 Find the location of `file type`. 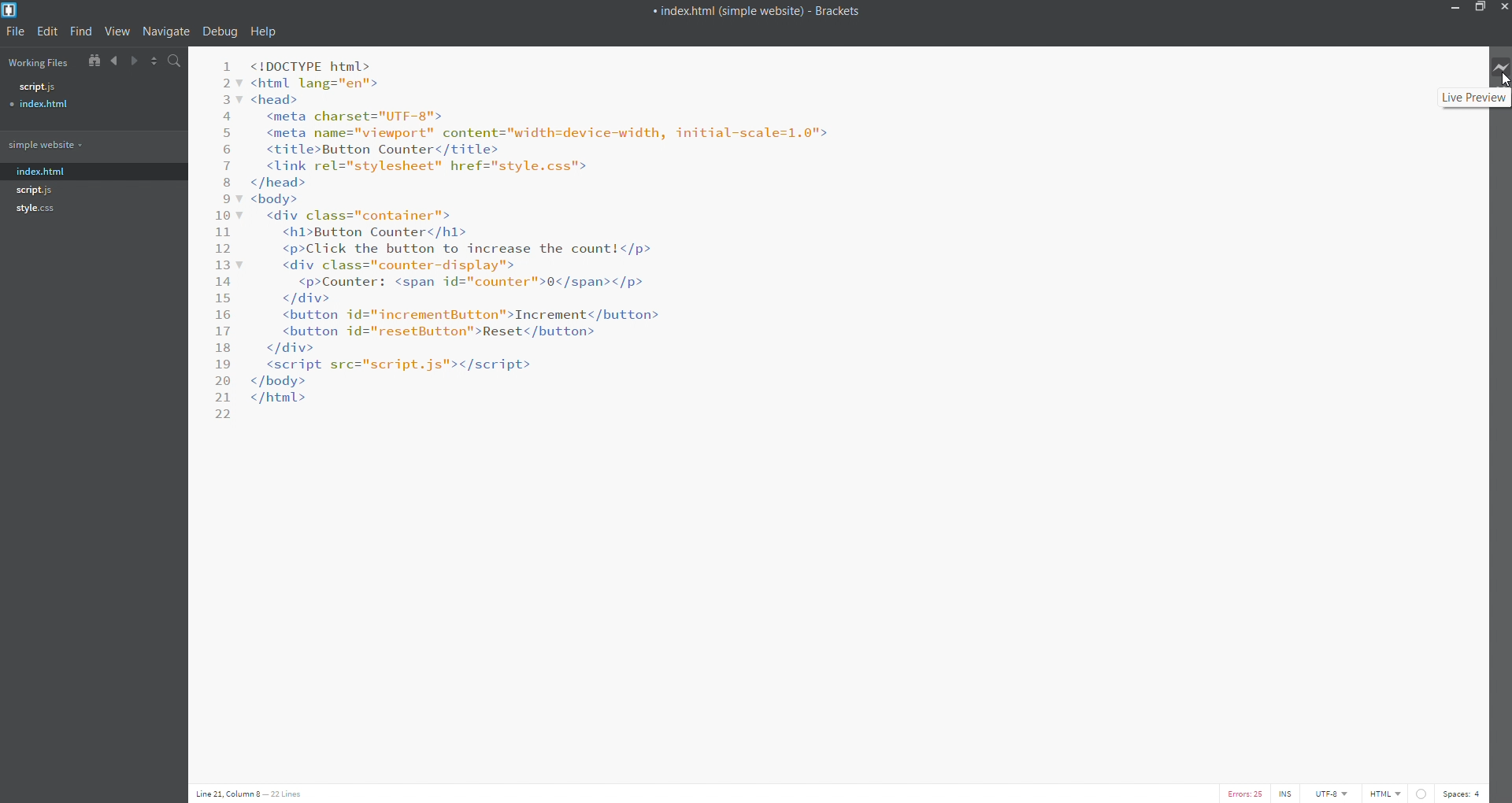

file type is located at coordinates (1388, 794).